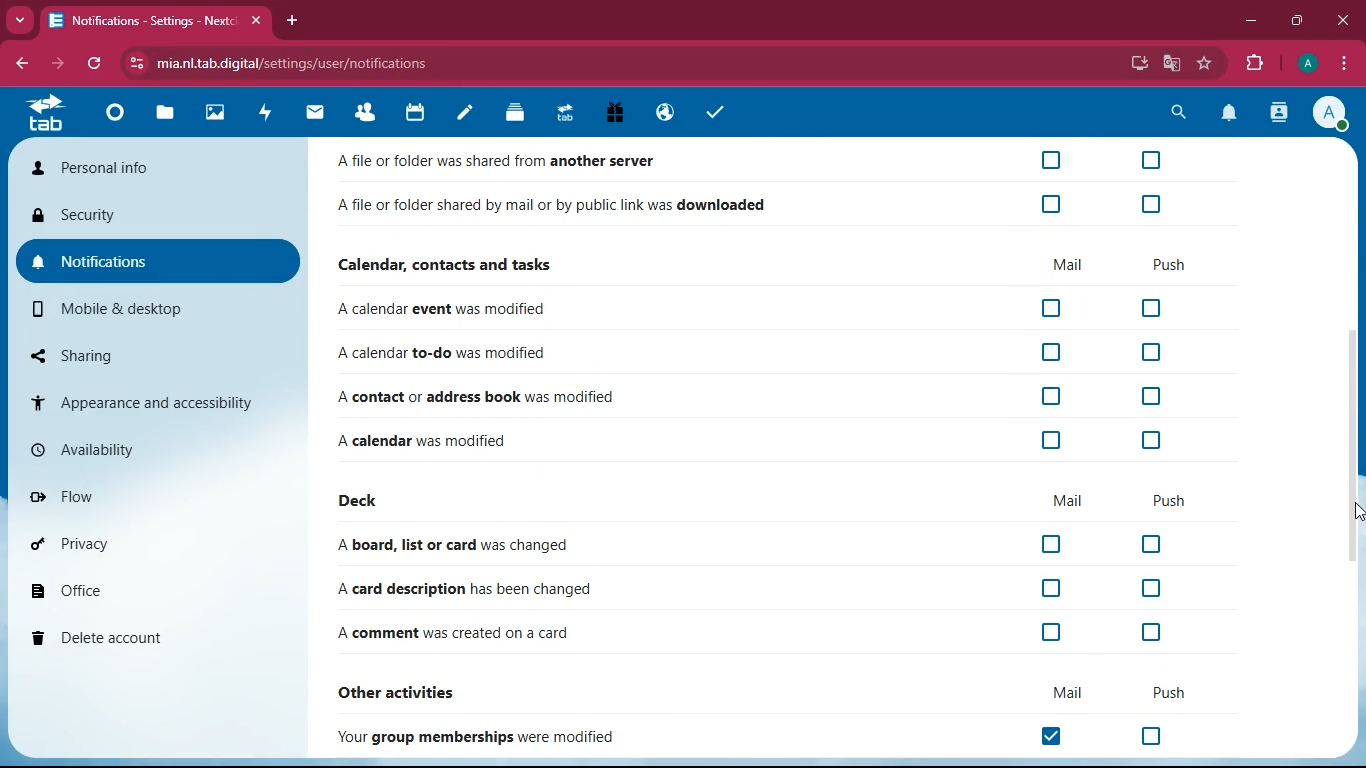  What do you see at coordinates (1149, 442) in the screenshot?
I see `off` at bounding box center [1149, 442].